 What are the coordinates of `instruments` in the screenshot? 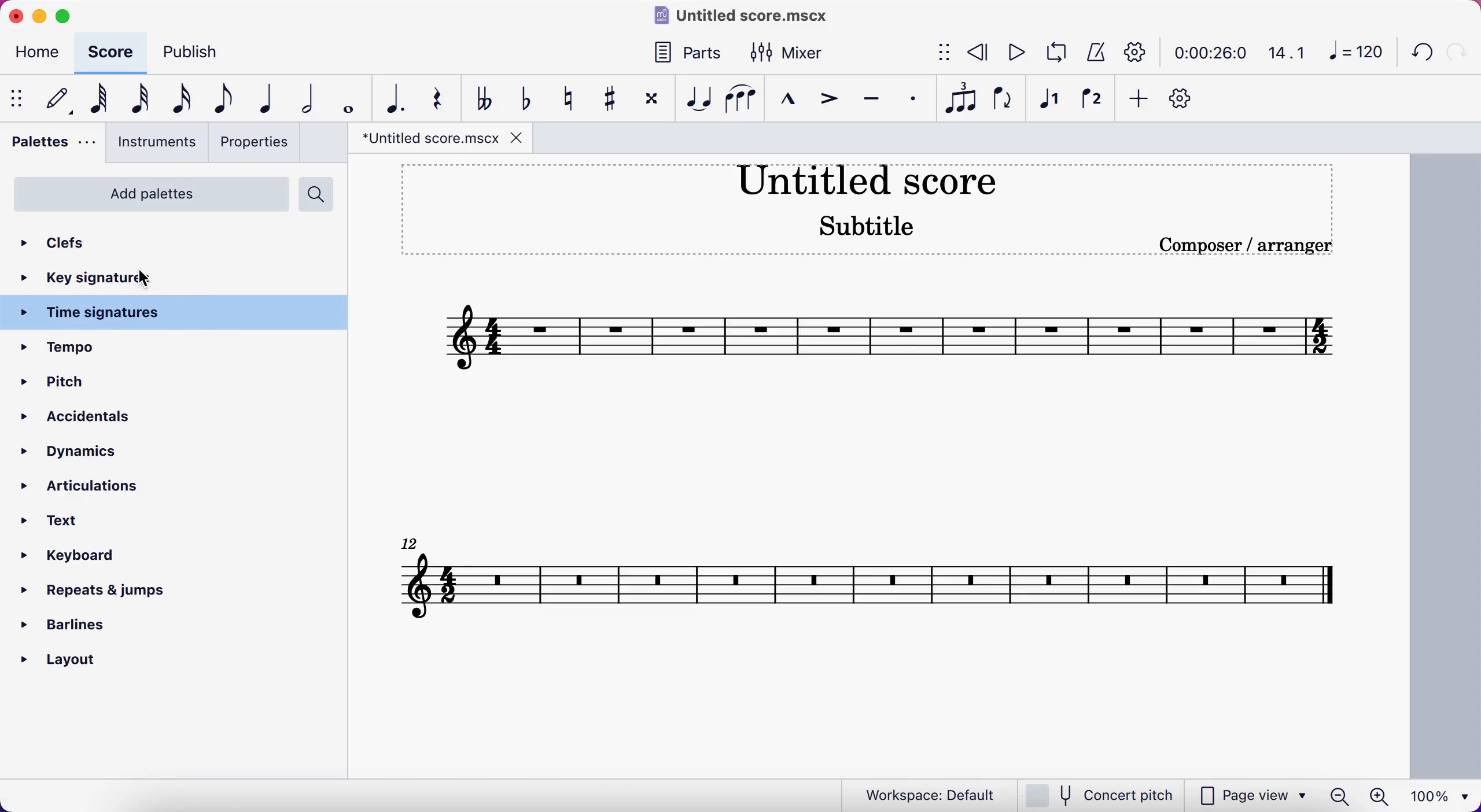 It's located at (156, 146).